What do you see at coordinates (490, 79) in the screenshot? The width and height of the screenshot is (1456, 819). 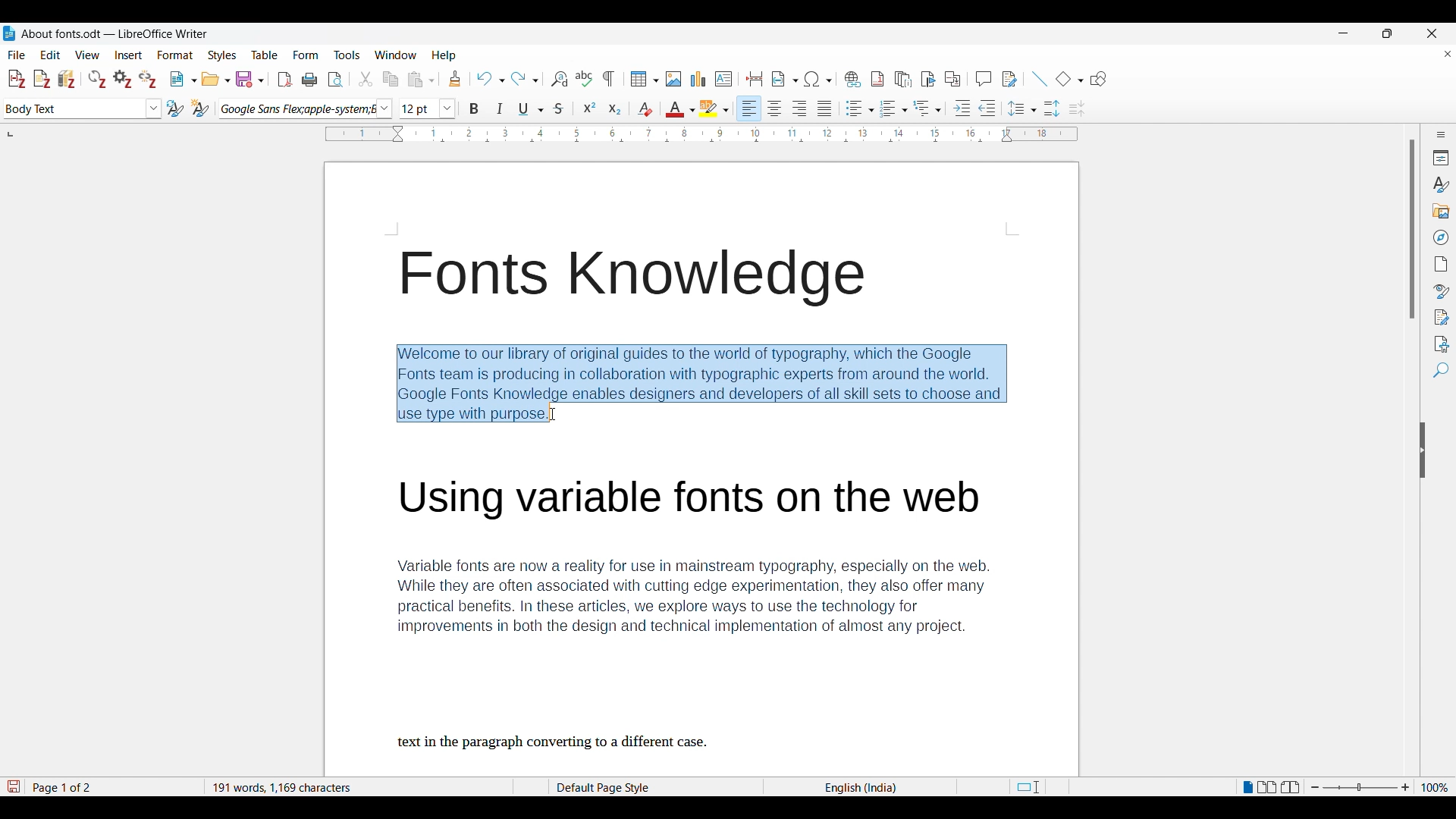 I see `Undo` at bounding box center [490, 79].